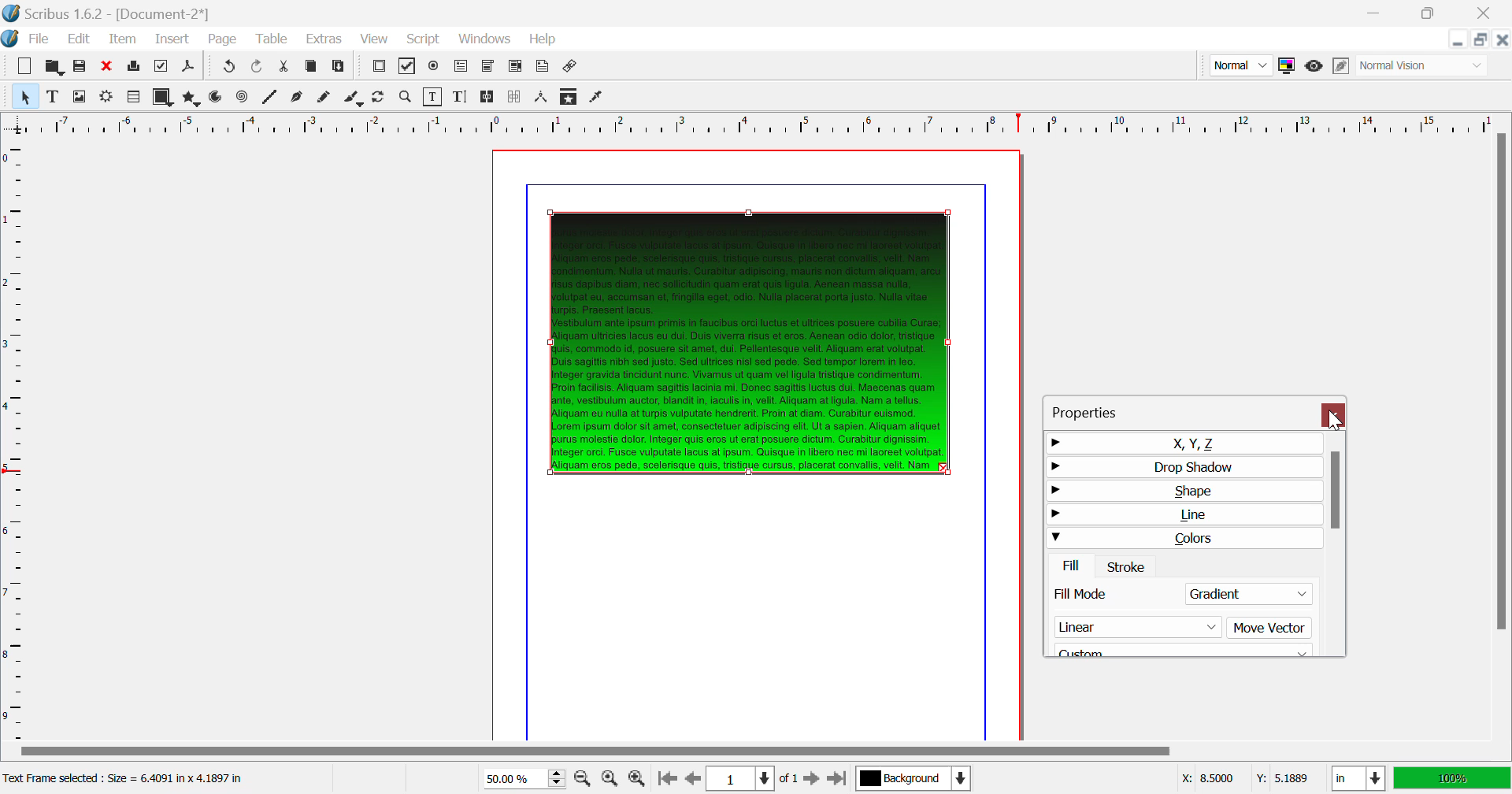 The image size is (1512, 794). I want to click on Edit in Preview Mode, so click(1343, 66).